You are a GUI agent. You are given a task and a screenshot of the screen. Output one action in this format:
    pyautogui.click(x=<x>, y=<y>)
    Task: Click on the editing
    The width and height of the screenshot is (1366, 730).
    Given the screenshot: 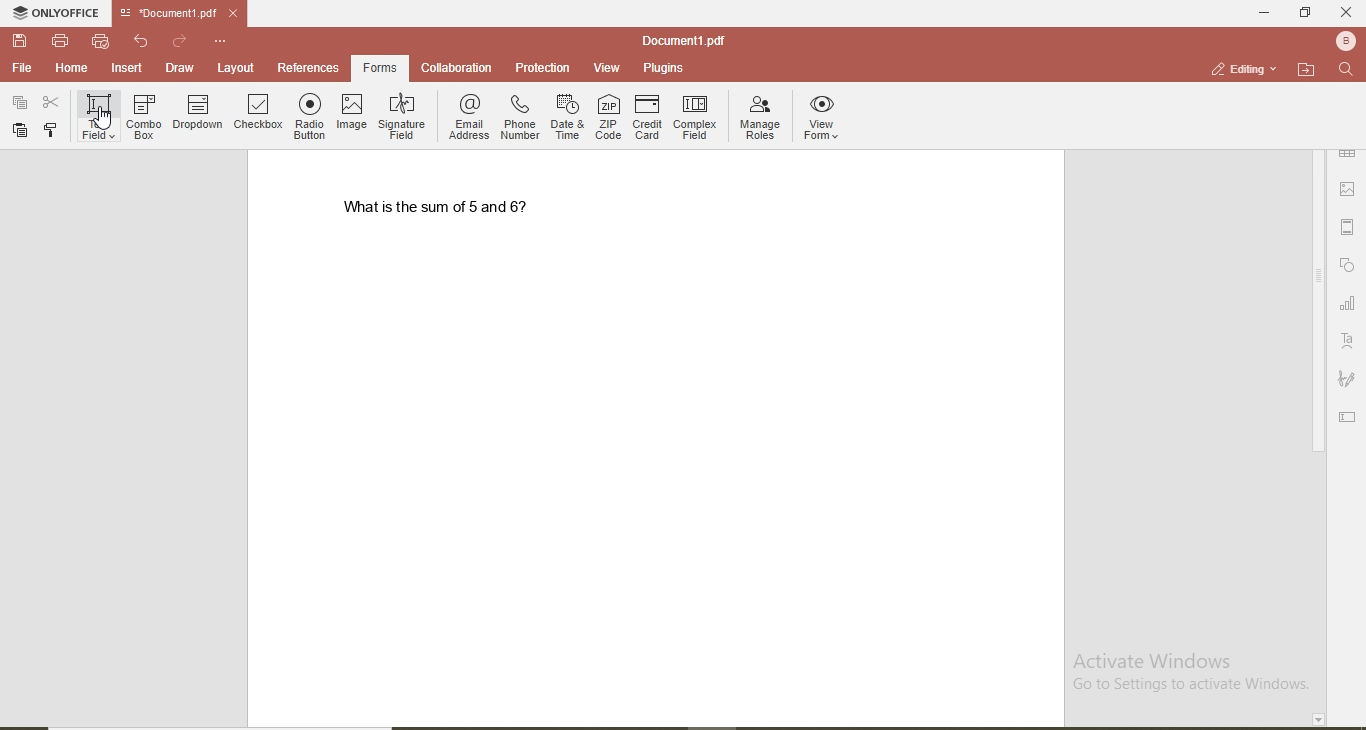 What is the action you would take?
    pyautogui.click(x=1235, y=68)
    